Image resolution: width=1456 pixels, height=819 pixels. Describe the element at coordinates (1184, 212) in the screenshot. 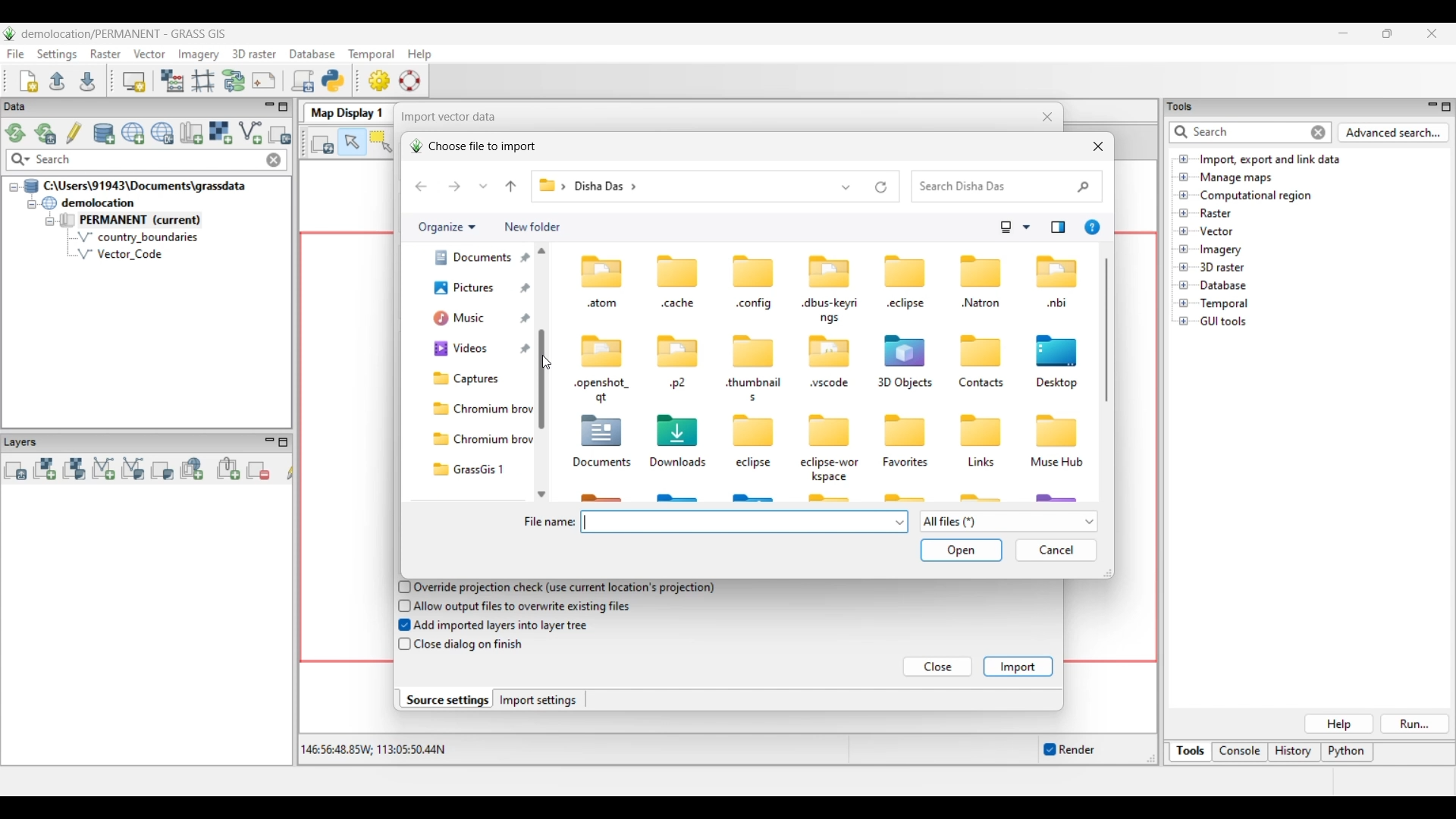

I see `Click to open files under Raster` at that location.